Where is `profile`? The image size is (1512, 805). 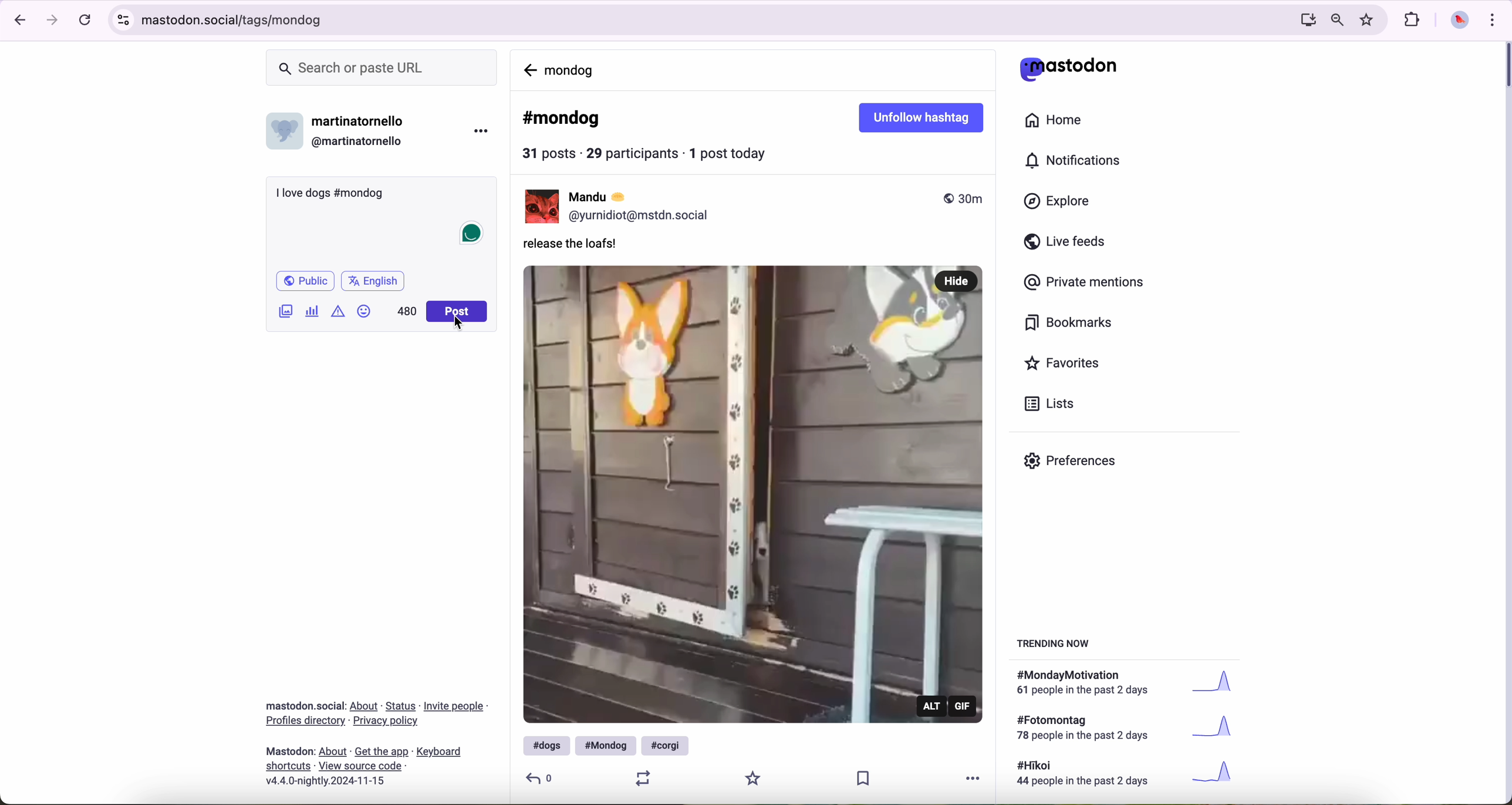 profile is located at coordinates (285, 135).